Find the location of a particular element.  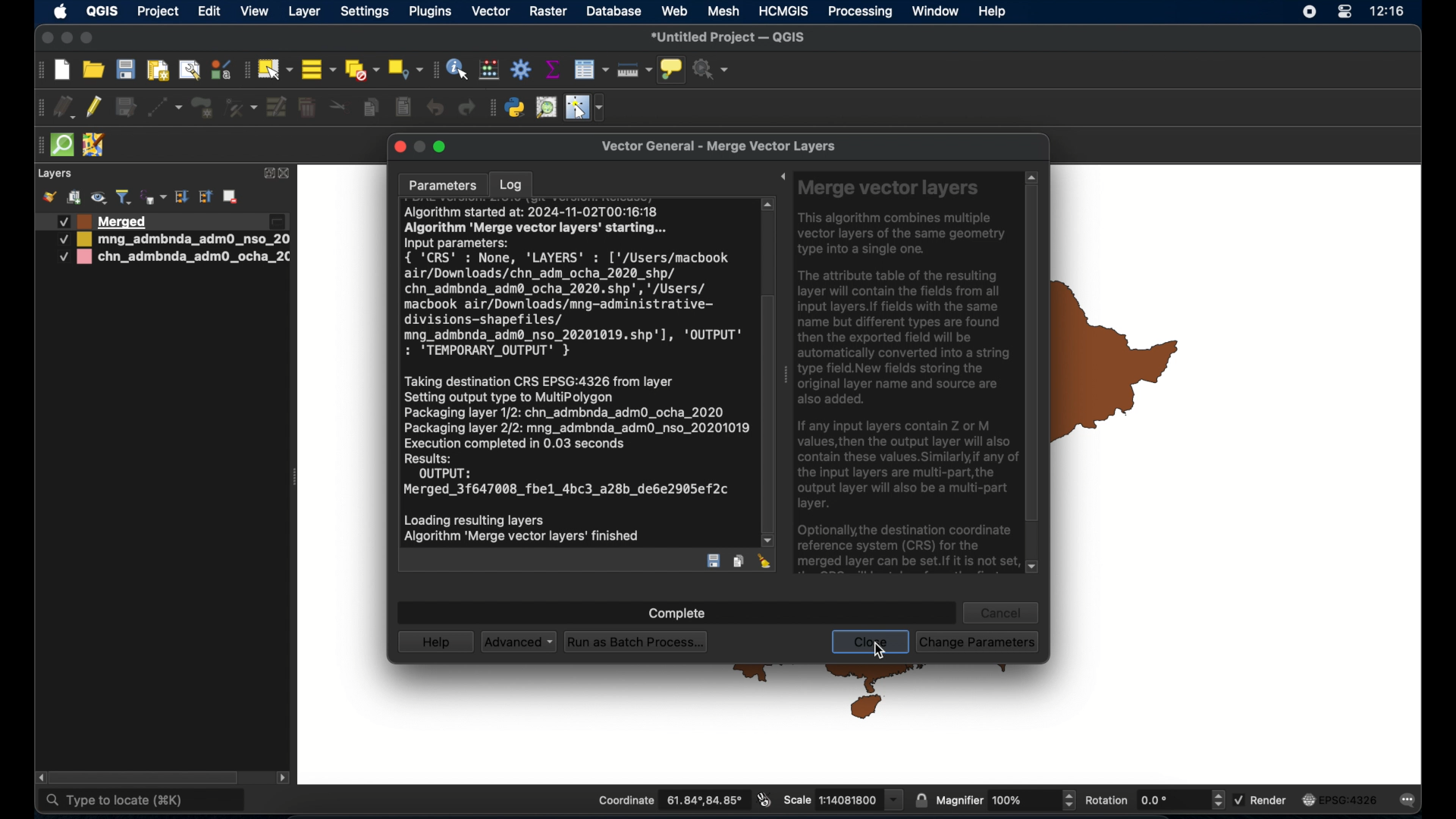

filter legend by expression is located at coordinates (152, 196).